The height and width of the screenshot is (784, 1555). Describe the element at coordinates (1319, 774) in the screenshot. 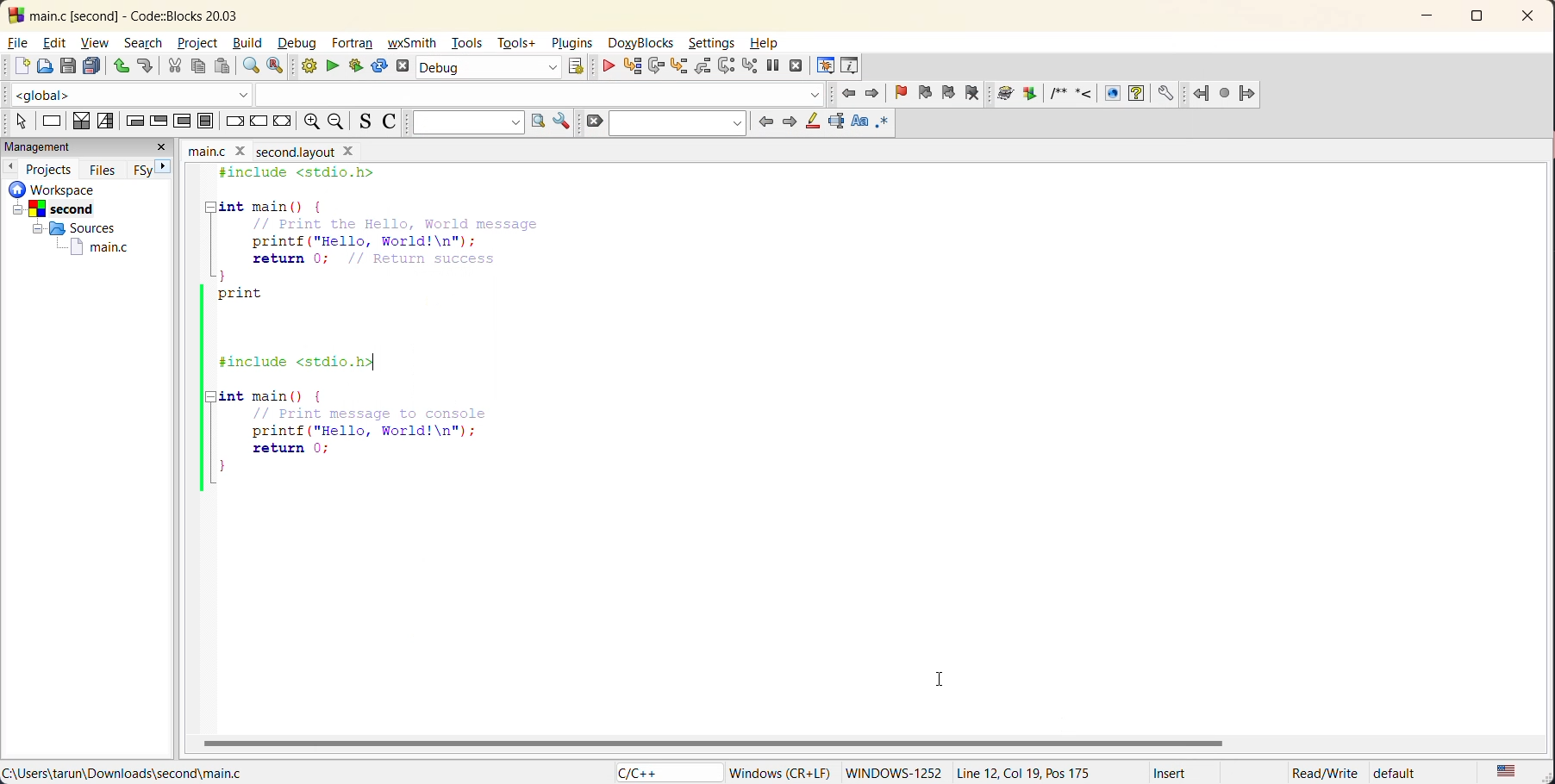

I see `Read/Write` at that location.